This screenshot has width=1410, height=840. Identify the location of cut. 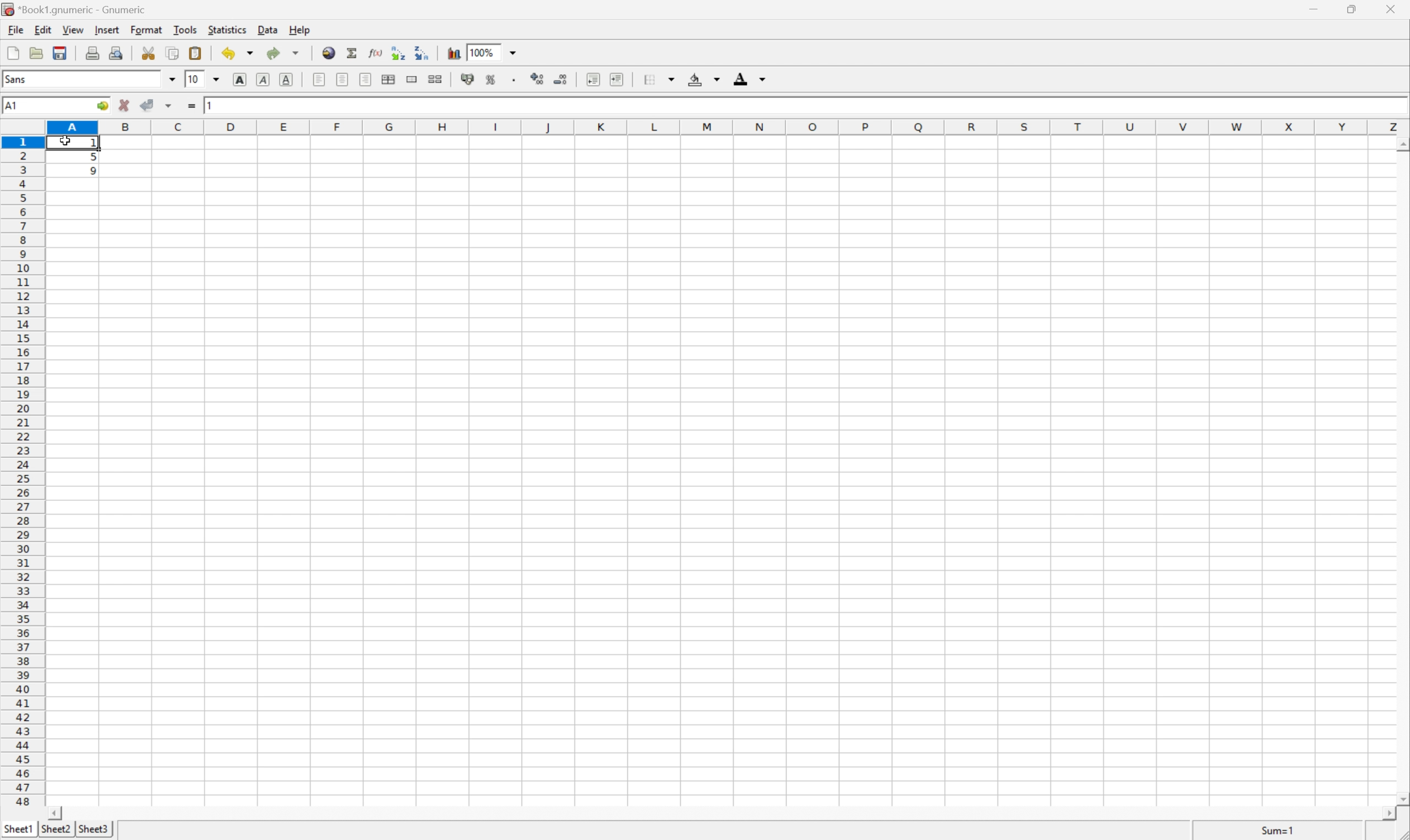
(148, 52).